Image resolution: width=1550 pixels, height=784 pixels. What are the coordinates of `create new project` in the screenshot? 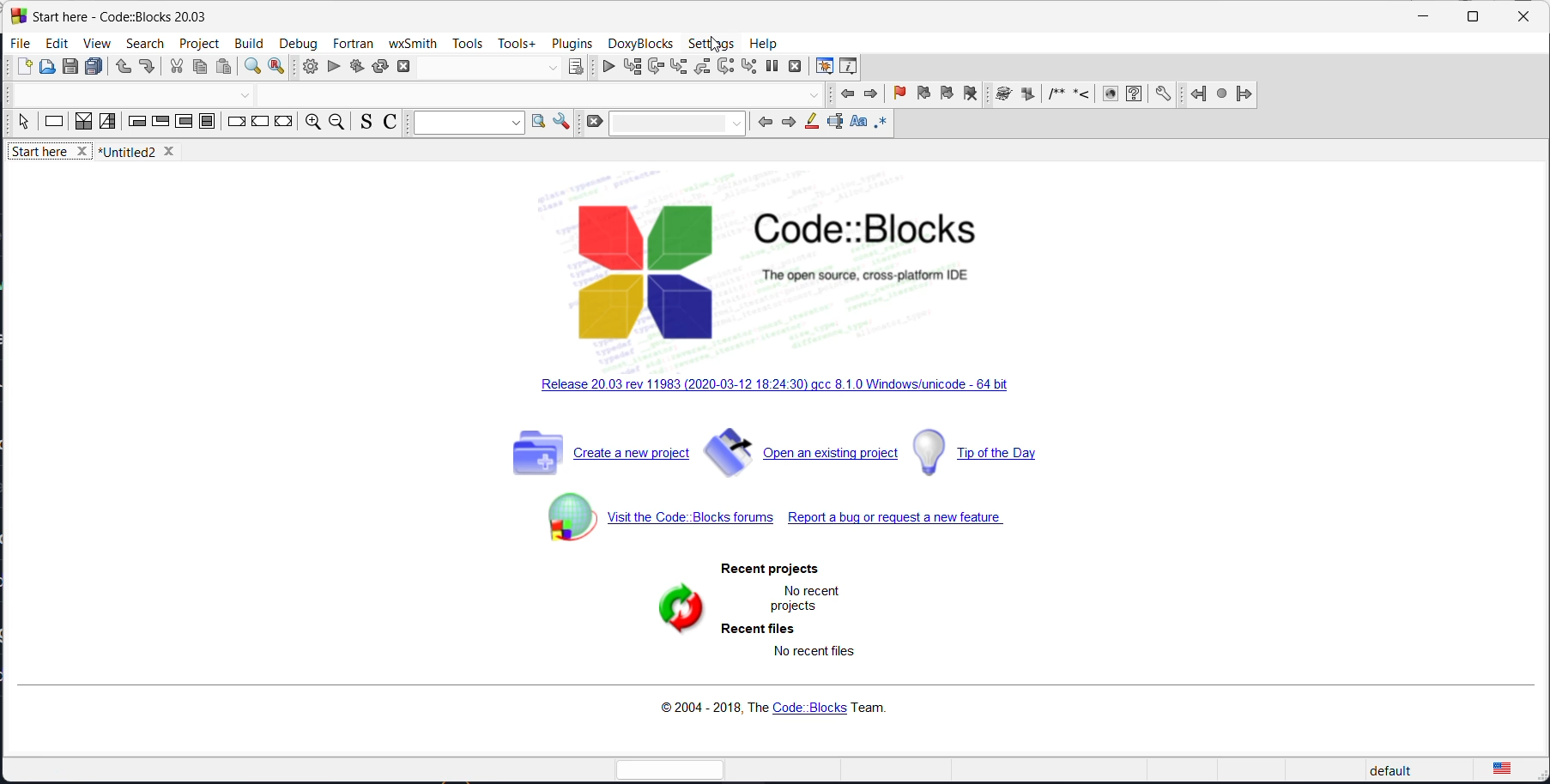 It's located at (596, 458).